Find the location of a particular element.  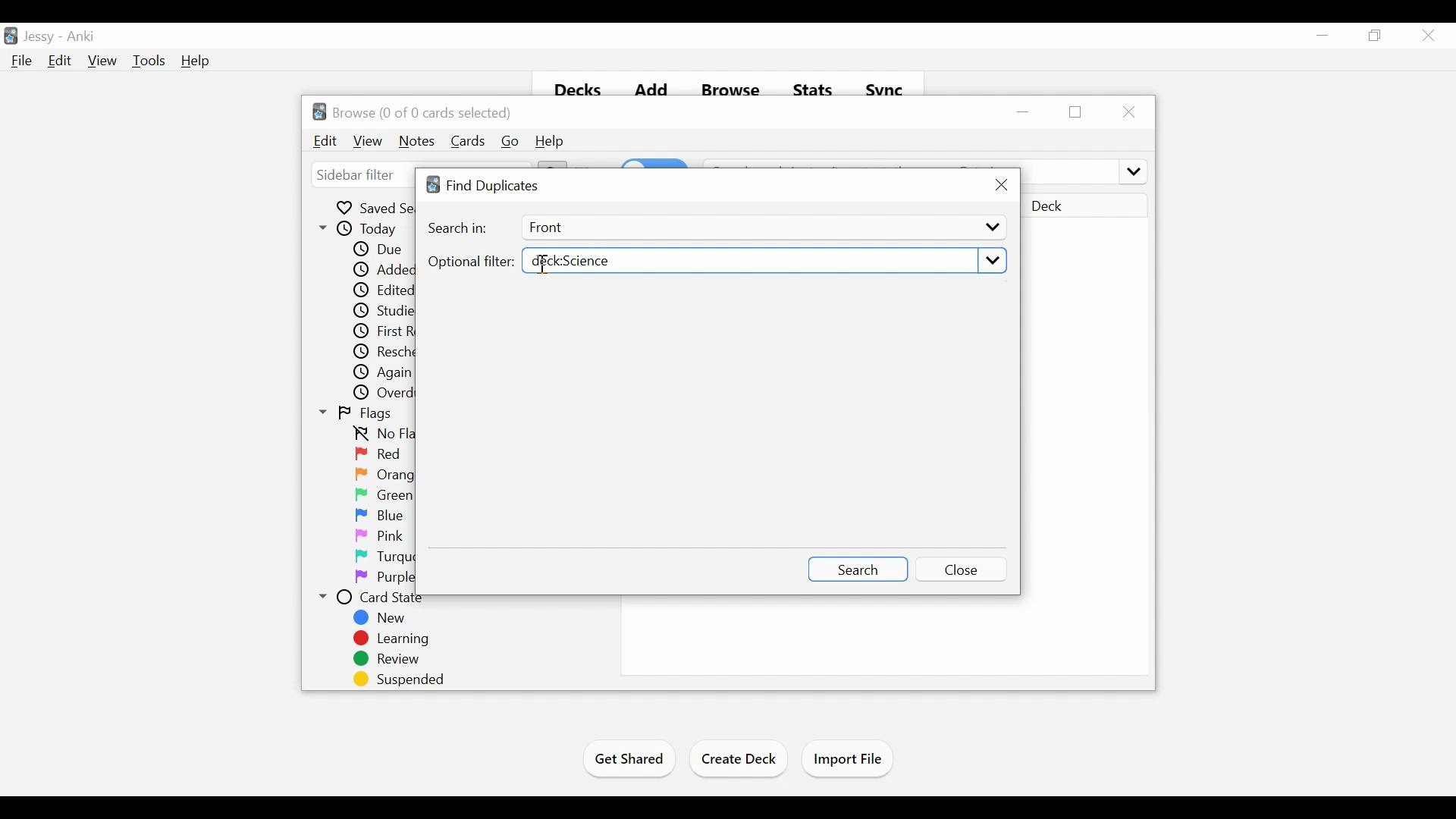

Overdue is located at coordinates (385, 394).